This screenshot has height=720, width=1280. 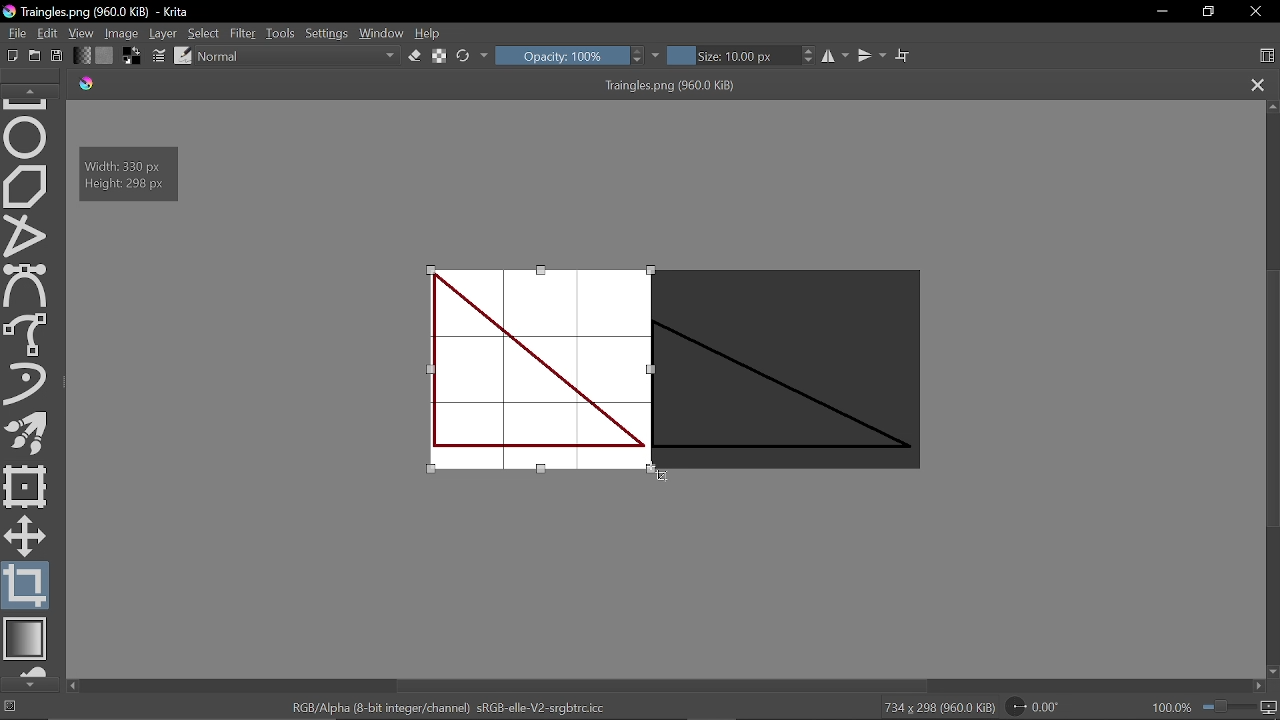 What do you see at coordinates (25, 286) in the screenshot?
I see `Bezier select tool` at bounding box center [25, 286].